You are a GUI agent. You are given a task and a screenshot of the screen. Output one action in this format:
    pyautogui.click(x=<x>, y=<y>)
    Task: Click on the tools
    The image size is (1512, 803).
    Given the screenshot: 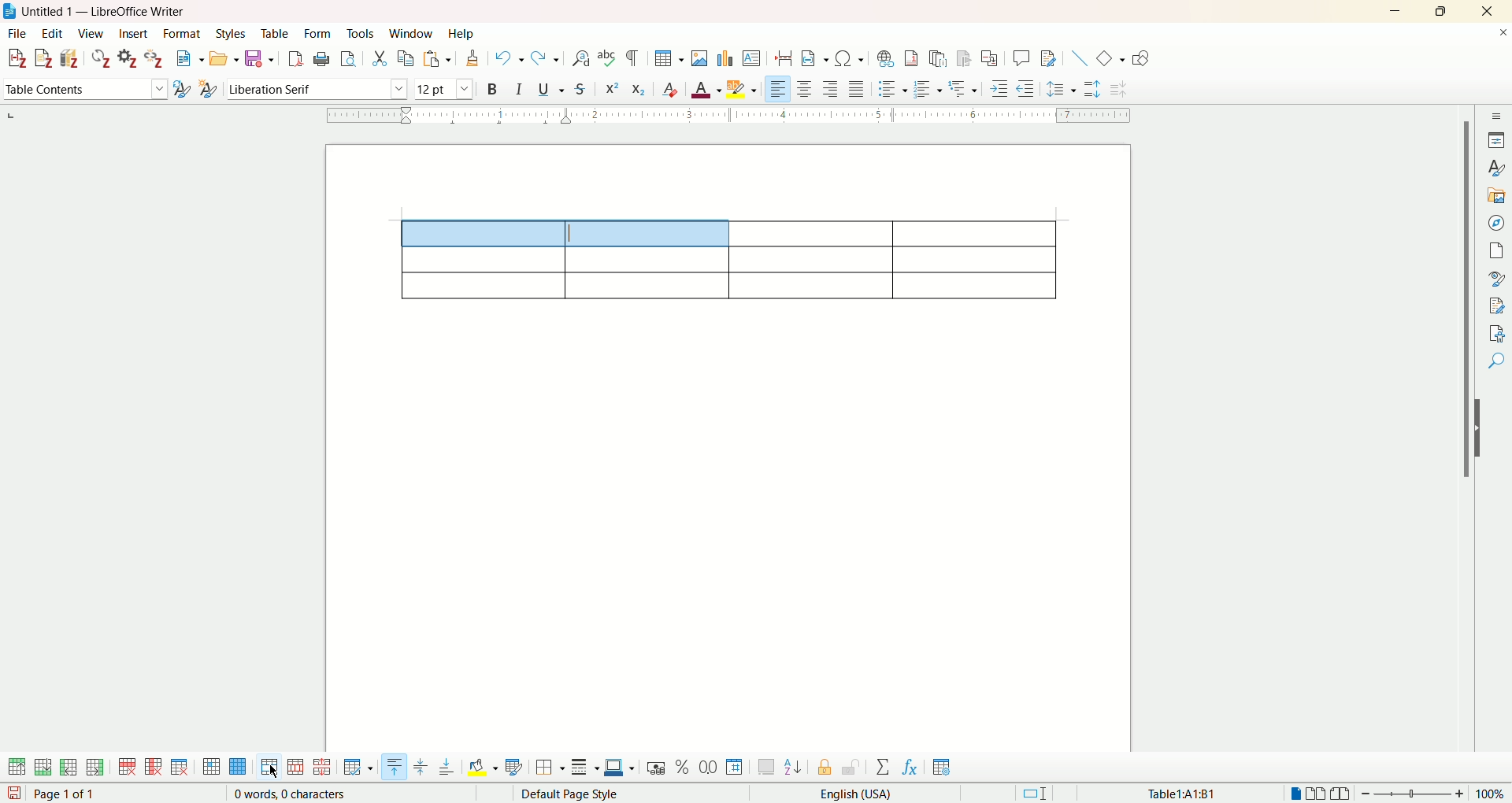 What is the action you would take?
    pyautogui.click(x=361, y=33)
    